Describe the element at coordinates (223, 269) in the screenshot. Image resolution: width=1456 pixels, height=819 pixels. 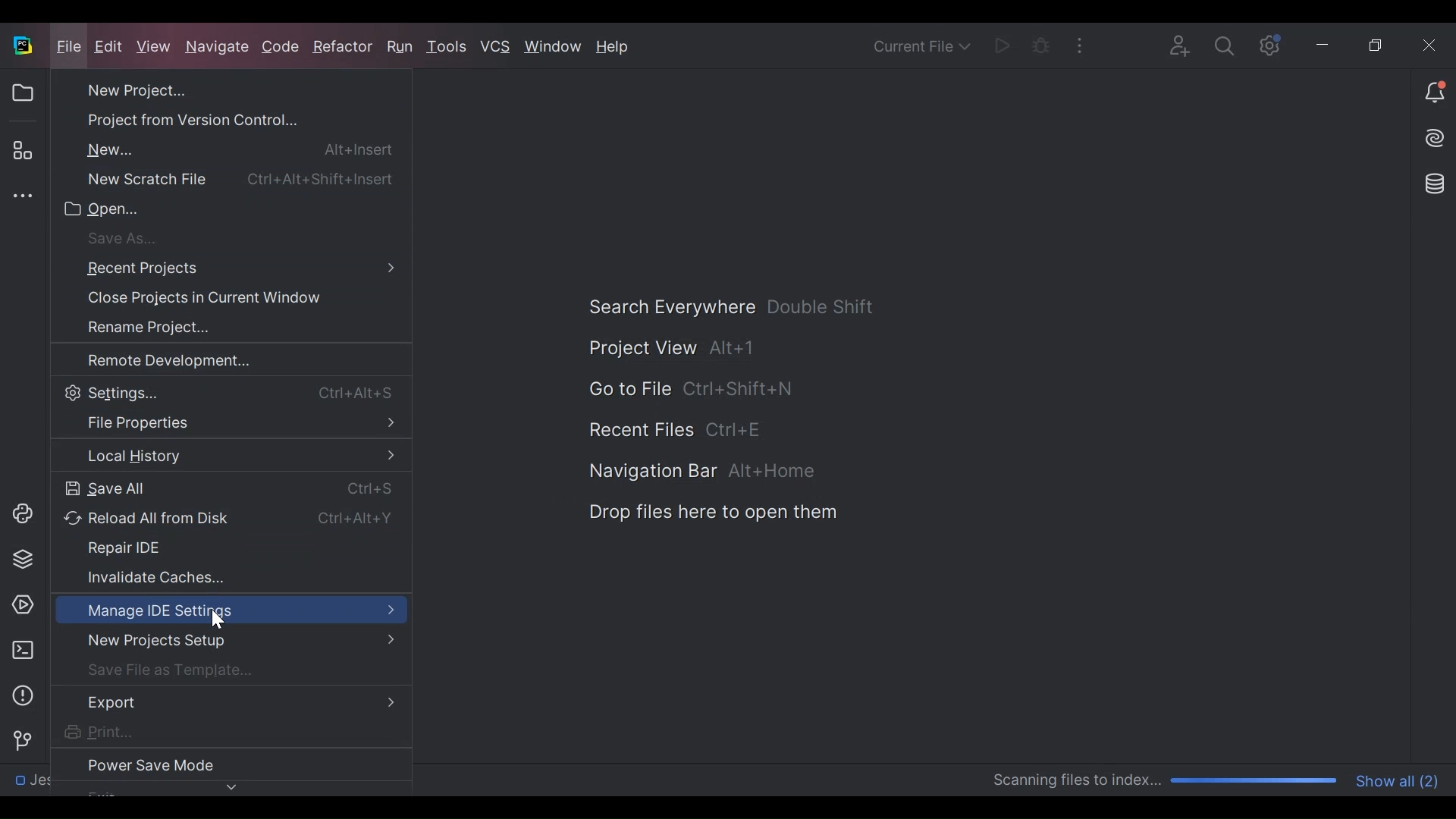
I see `Recent Projects` at that location.